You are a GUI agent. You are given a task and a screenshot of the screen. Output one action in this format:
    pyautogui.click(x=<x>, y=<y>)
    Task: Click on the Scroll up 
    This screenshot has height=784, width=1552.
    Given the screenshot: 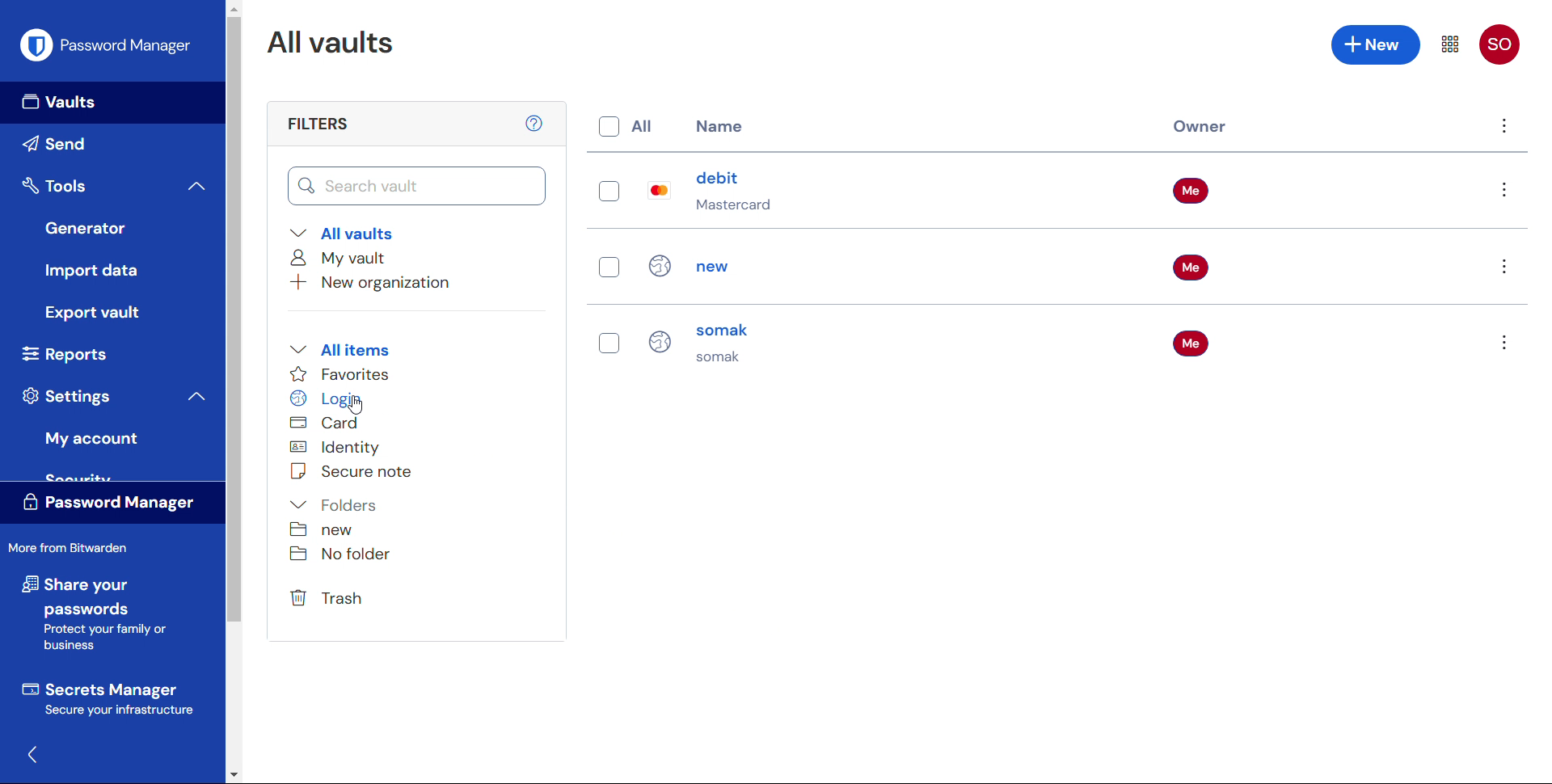 What is the action you would take?
    pyautogui.click(x=232, y=6)
    